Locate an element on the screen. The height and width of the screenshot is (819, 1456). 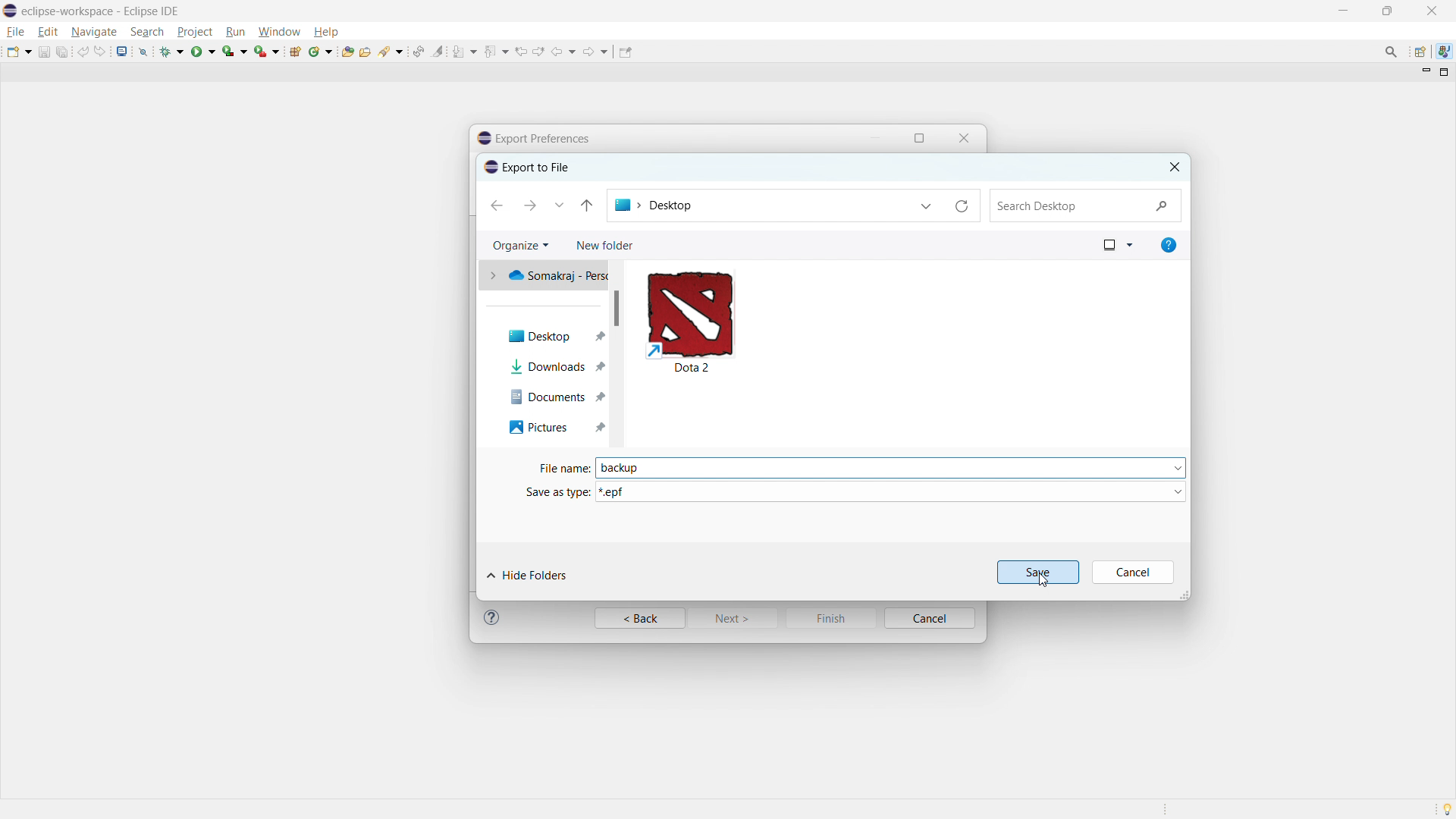
save all is located at coordinates (62, 52).